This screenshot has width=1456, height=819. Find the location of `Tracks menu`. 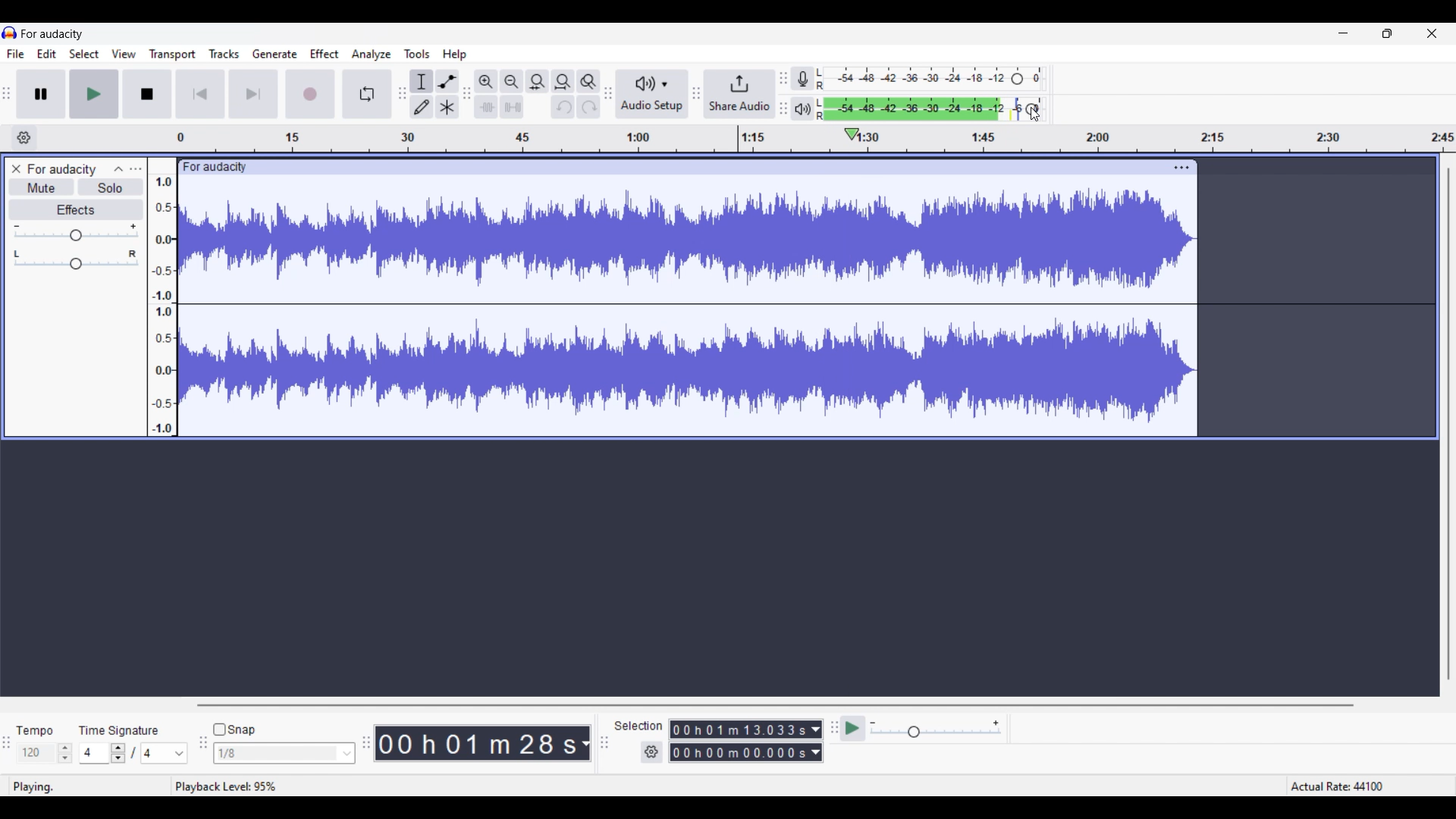

Tracks menu is located at coordinates (224, 53).